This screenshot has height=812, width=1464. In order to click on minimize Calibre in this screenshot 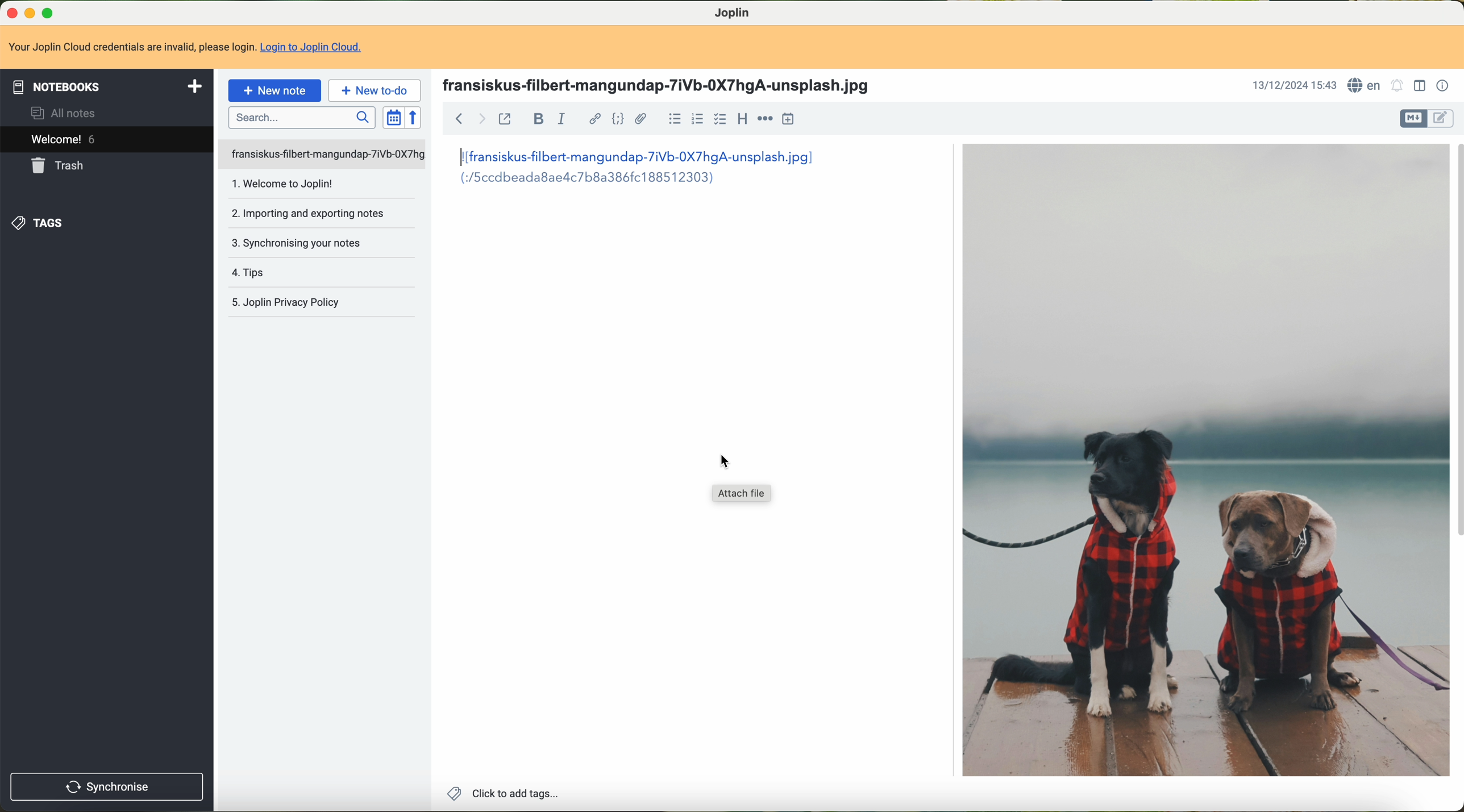, I will do `click(32, 13)`.